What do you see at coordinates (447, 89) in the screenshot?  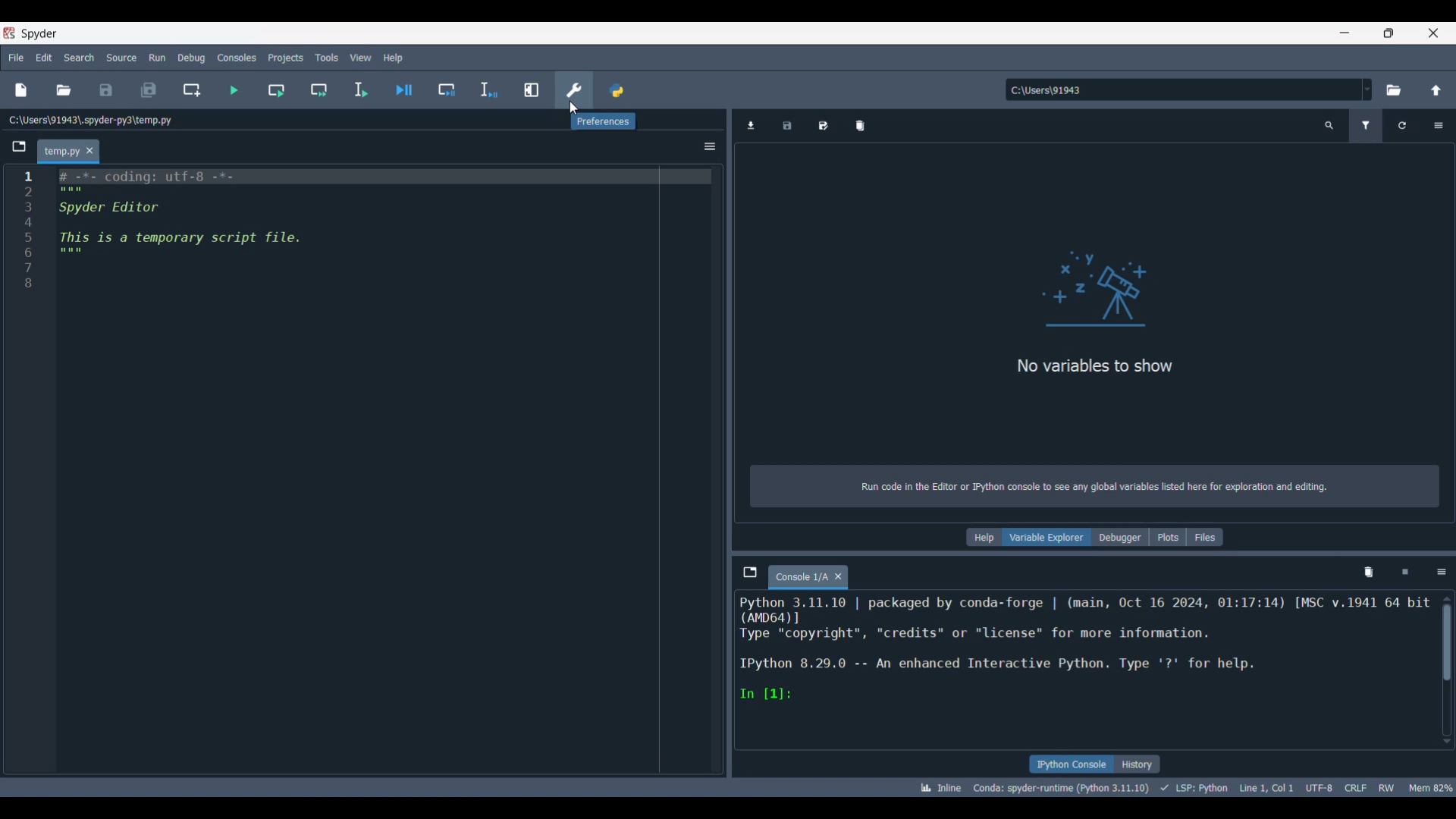 I see `Debug cell` at bounding box center [447, 89].